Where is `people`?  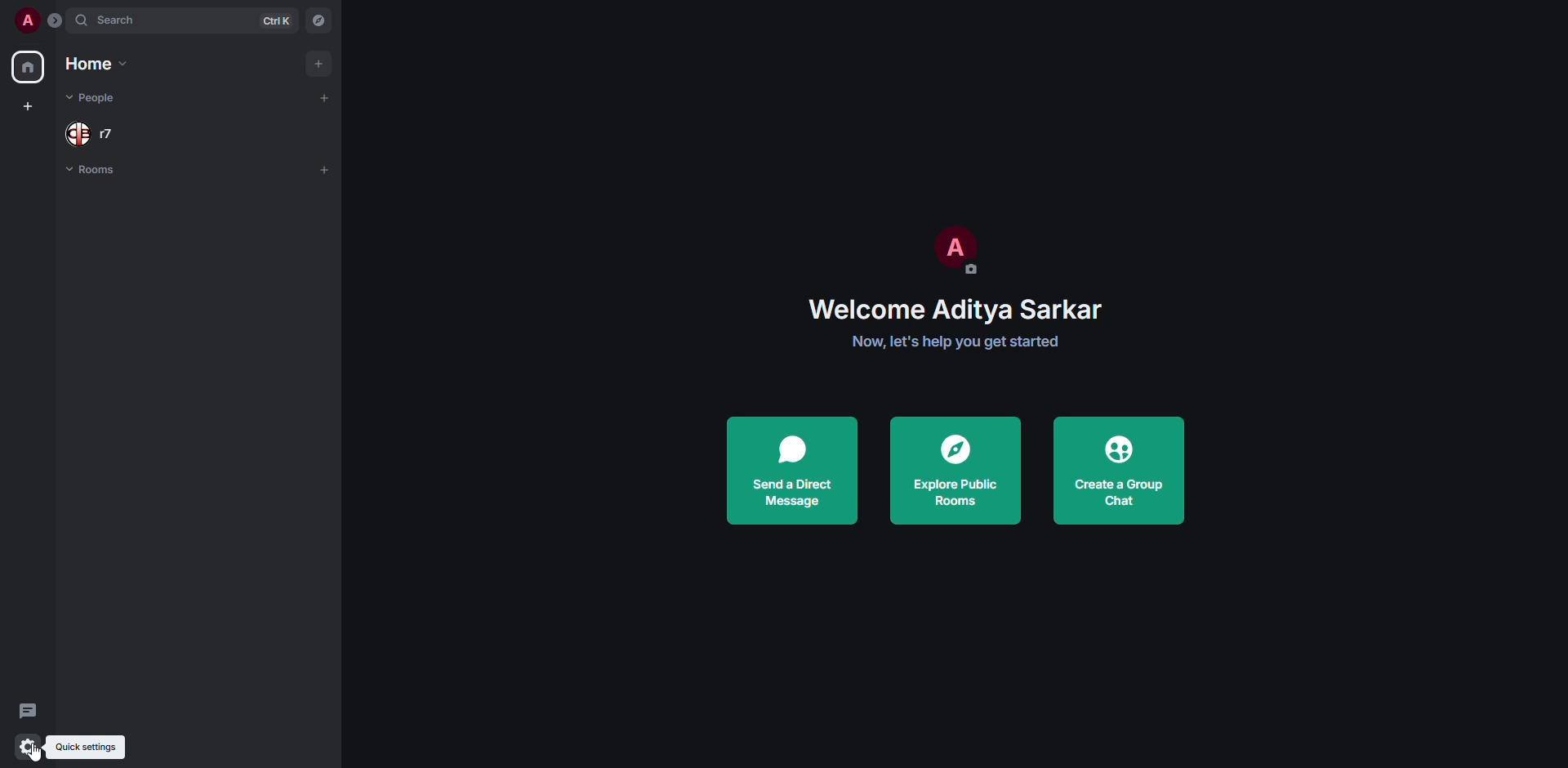
people is located at coordinates (99, 97).